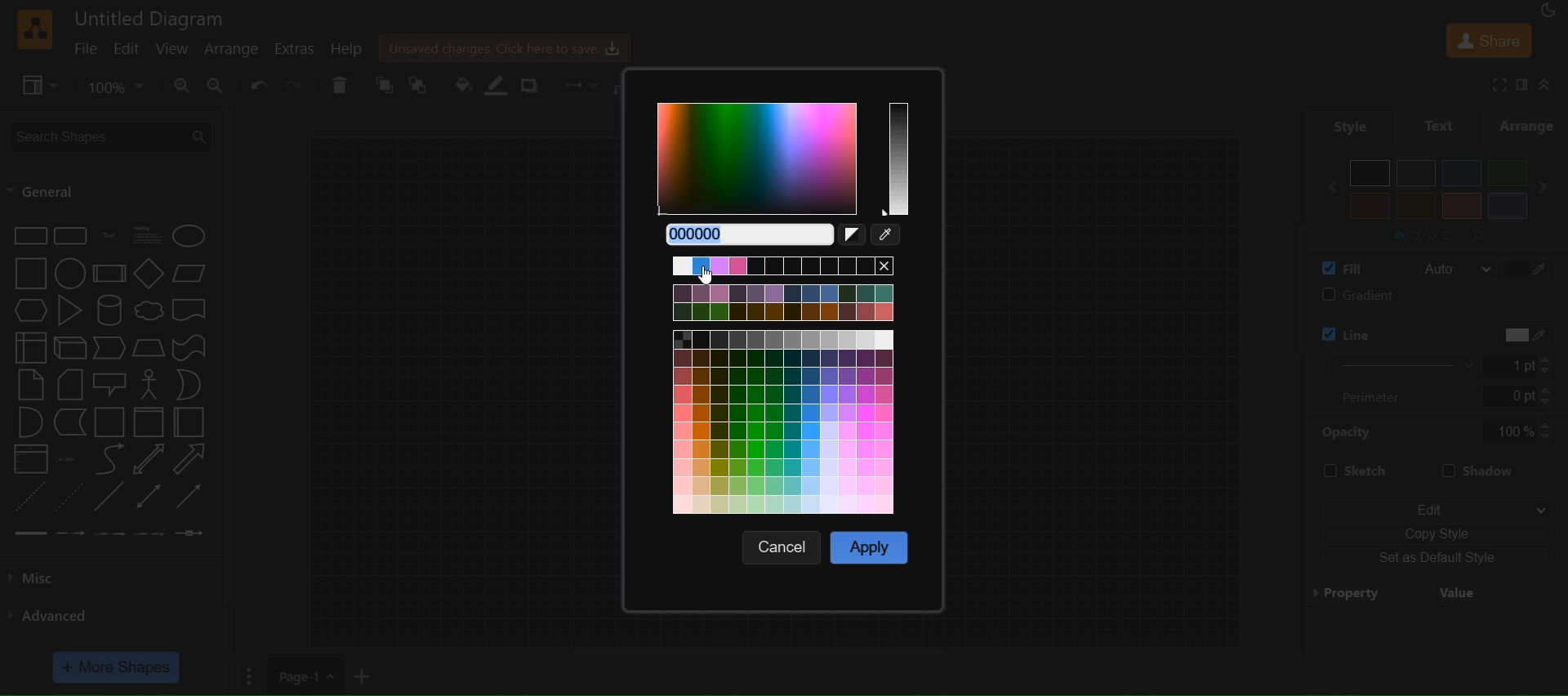 This screenshot has width=1568, height=696. I want to click on zoom in, so click(181, 86).